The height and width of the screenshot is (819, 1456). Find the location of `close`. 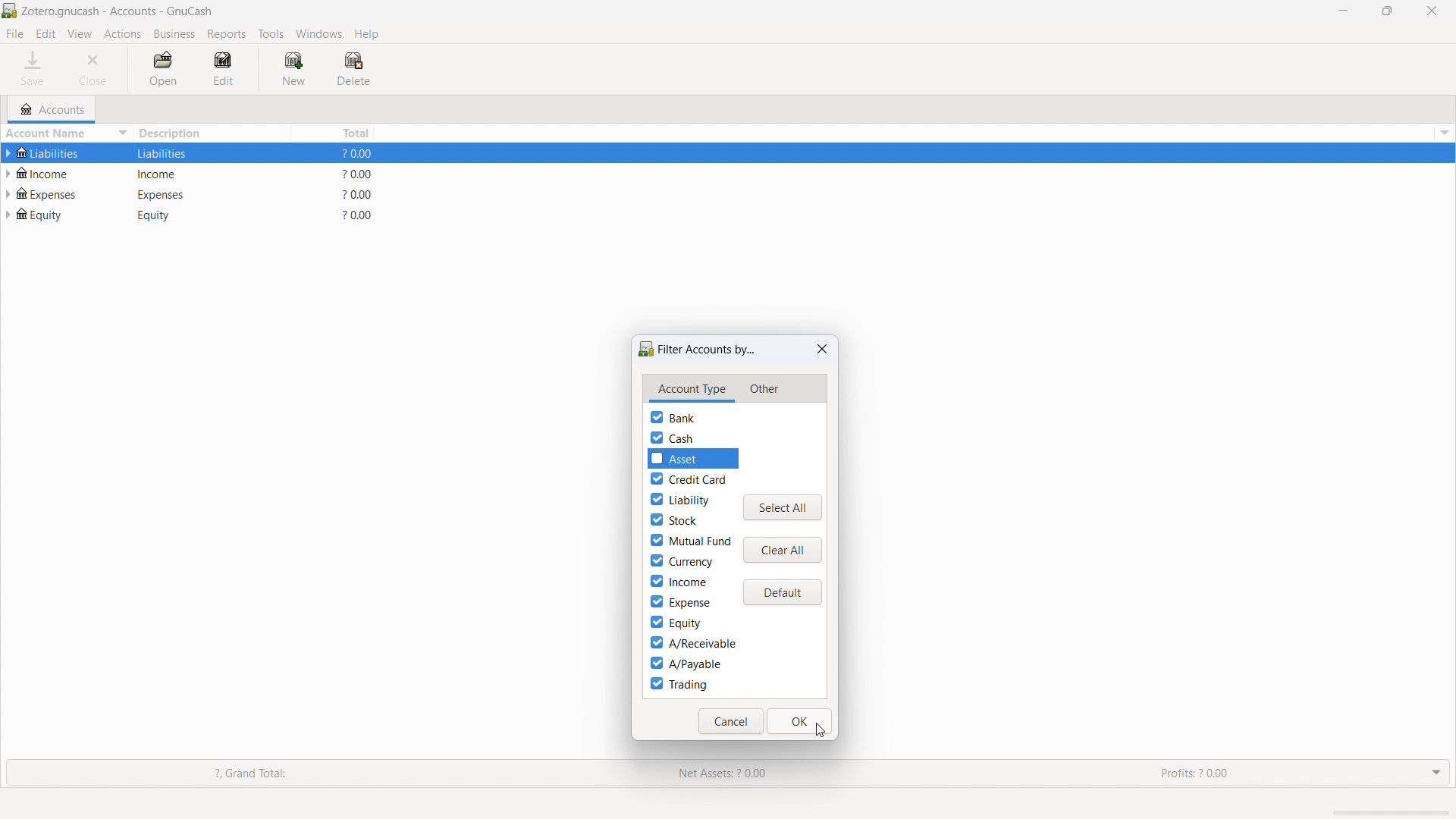

close is located at coordinates (823, 349).